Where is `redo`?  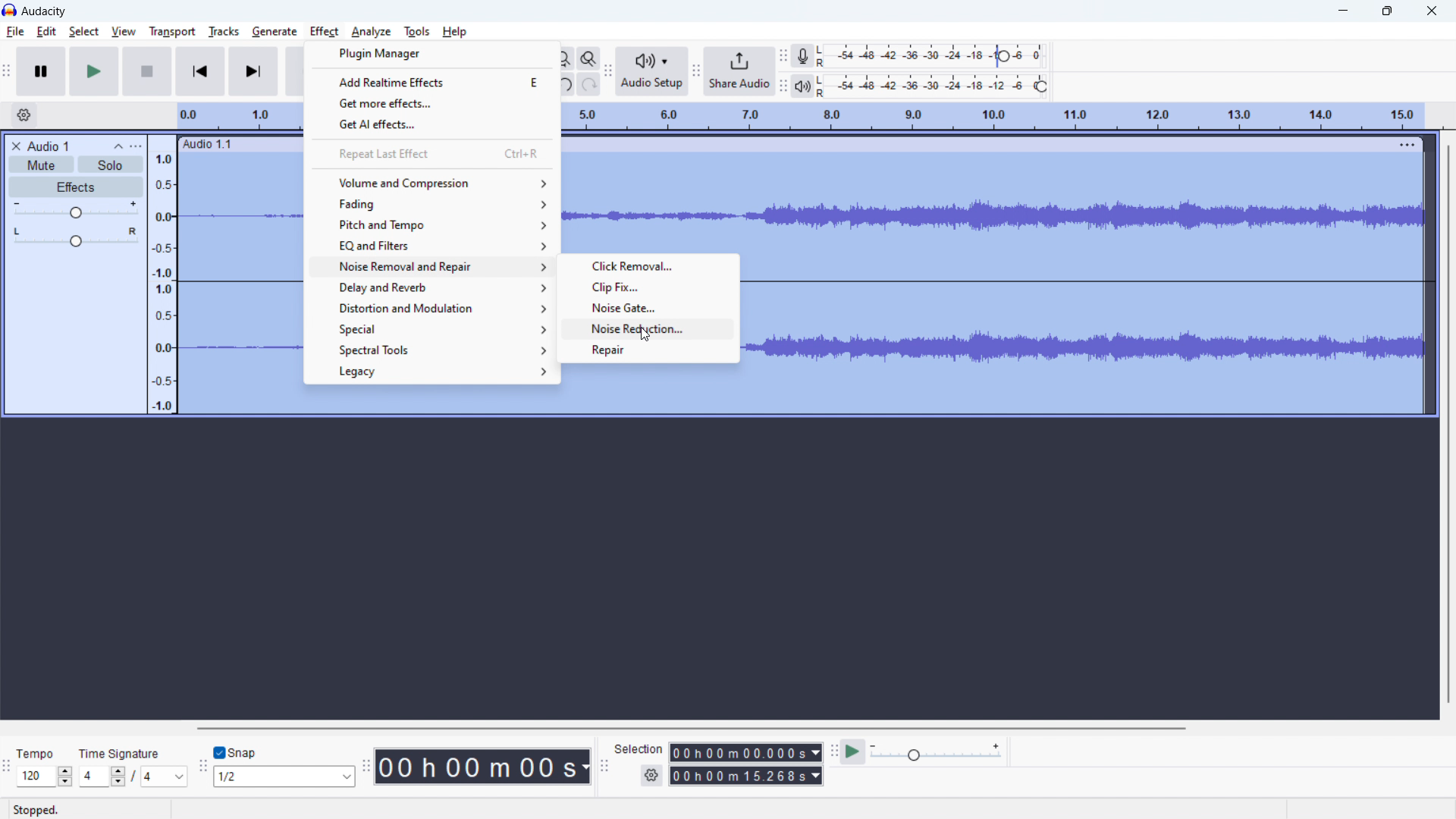
redo is located at coordinates (589, 83).